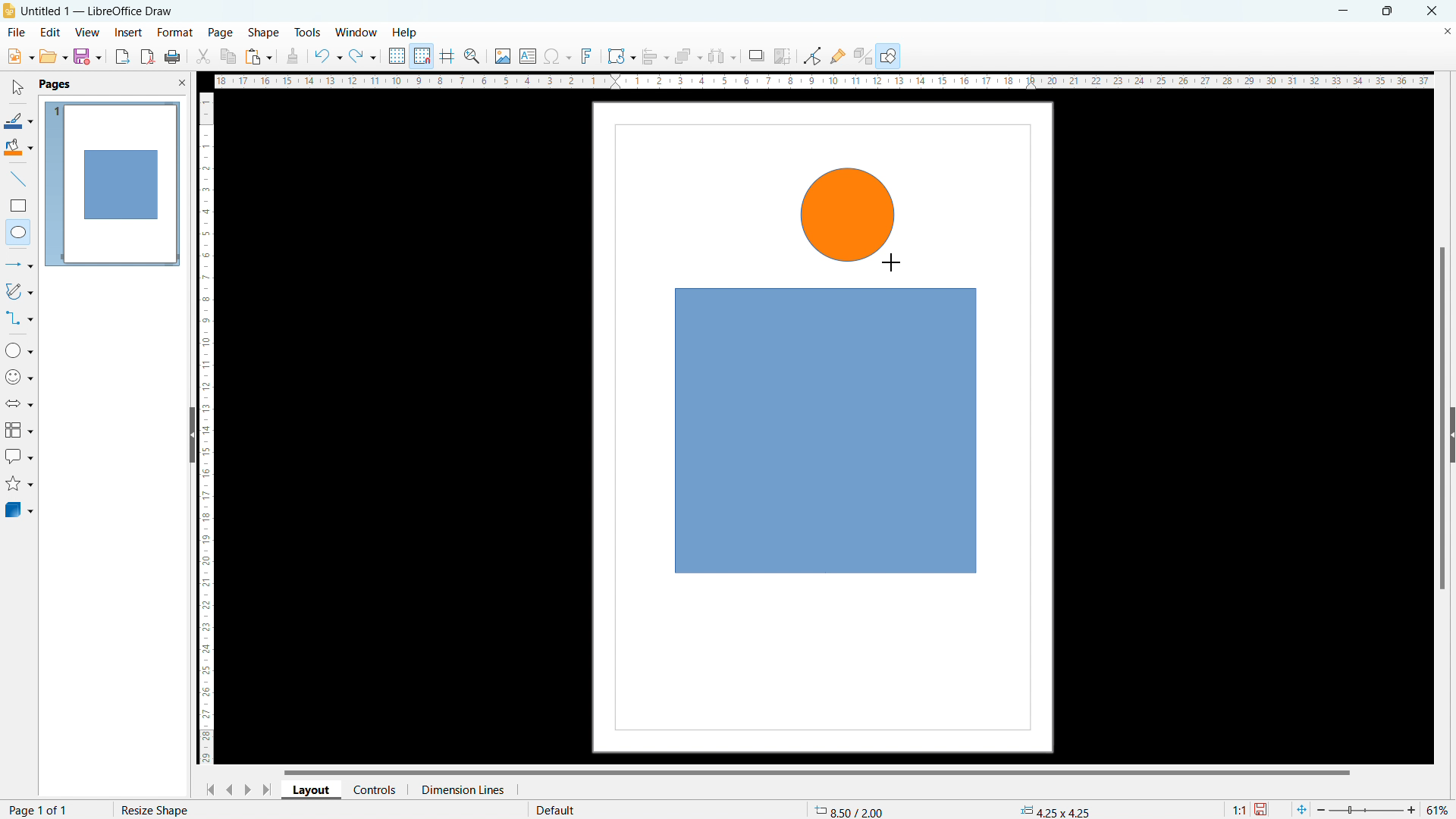  I want to click on controls, so click(376, 789).